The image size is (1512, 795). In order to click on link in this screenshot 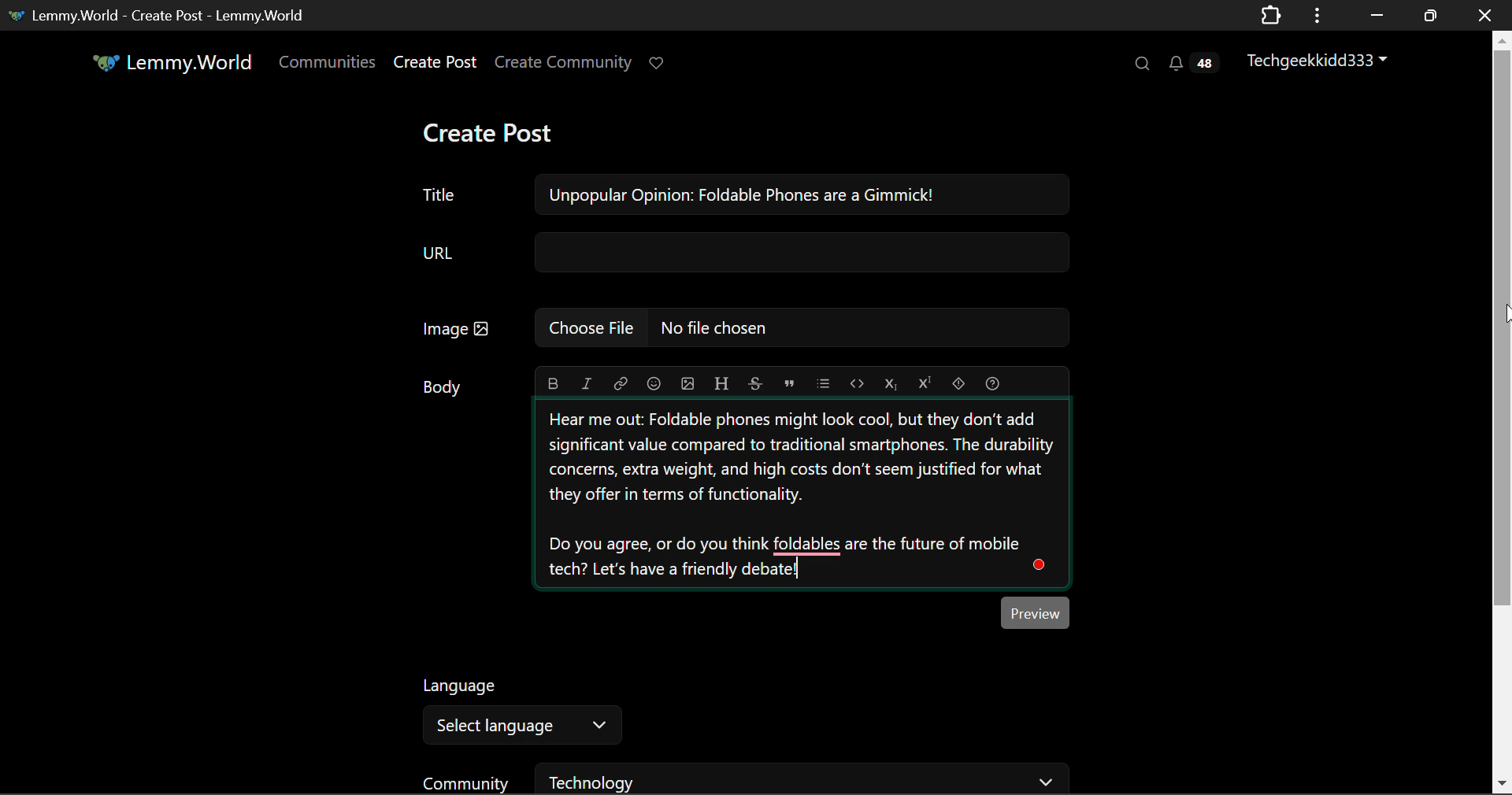, I will do `click(621, 382)`.